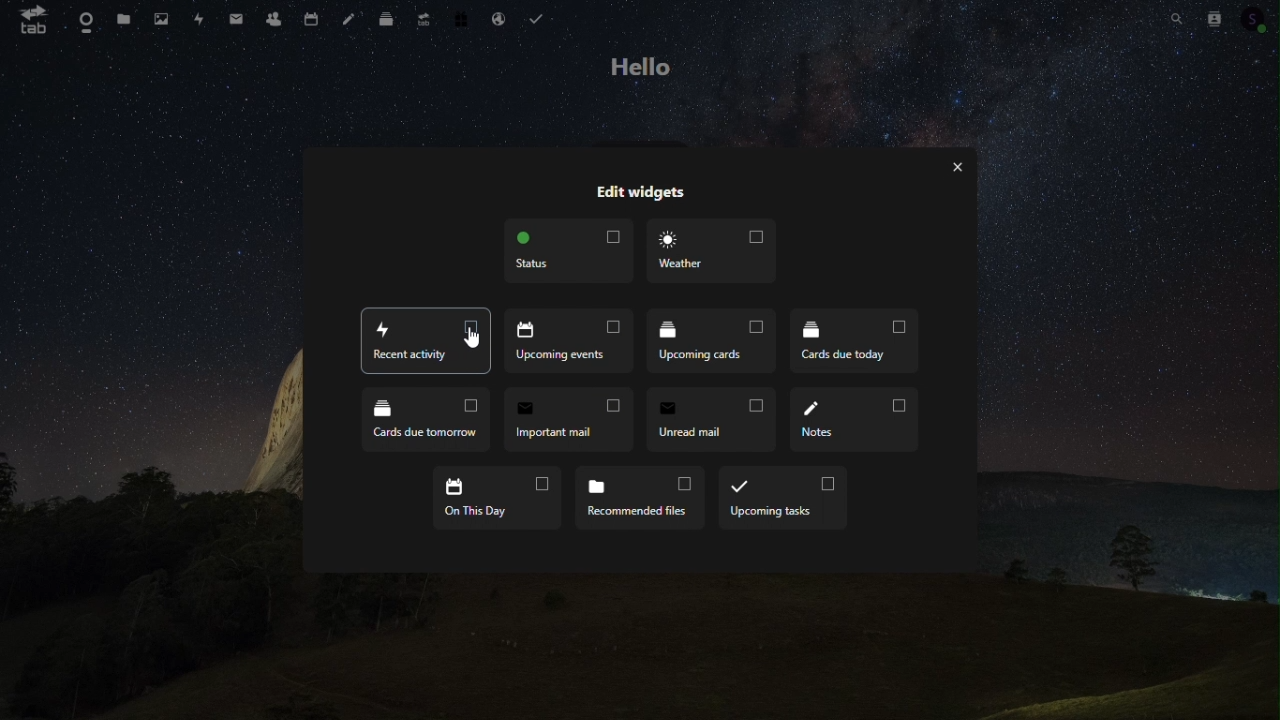  I want to click on notes, so click(855, 422).